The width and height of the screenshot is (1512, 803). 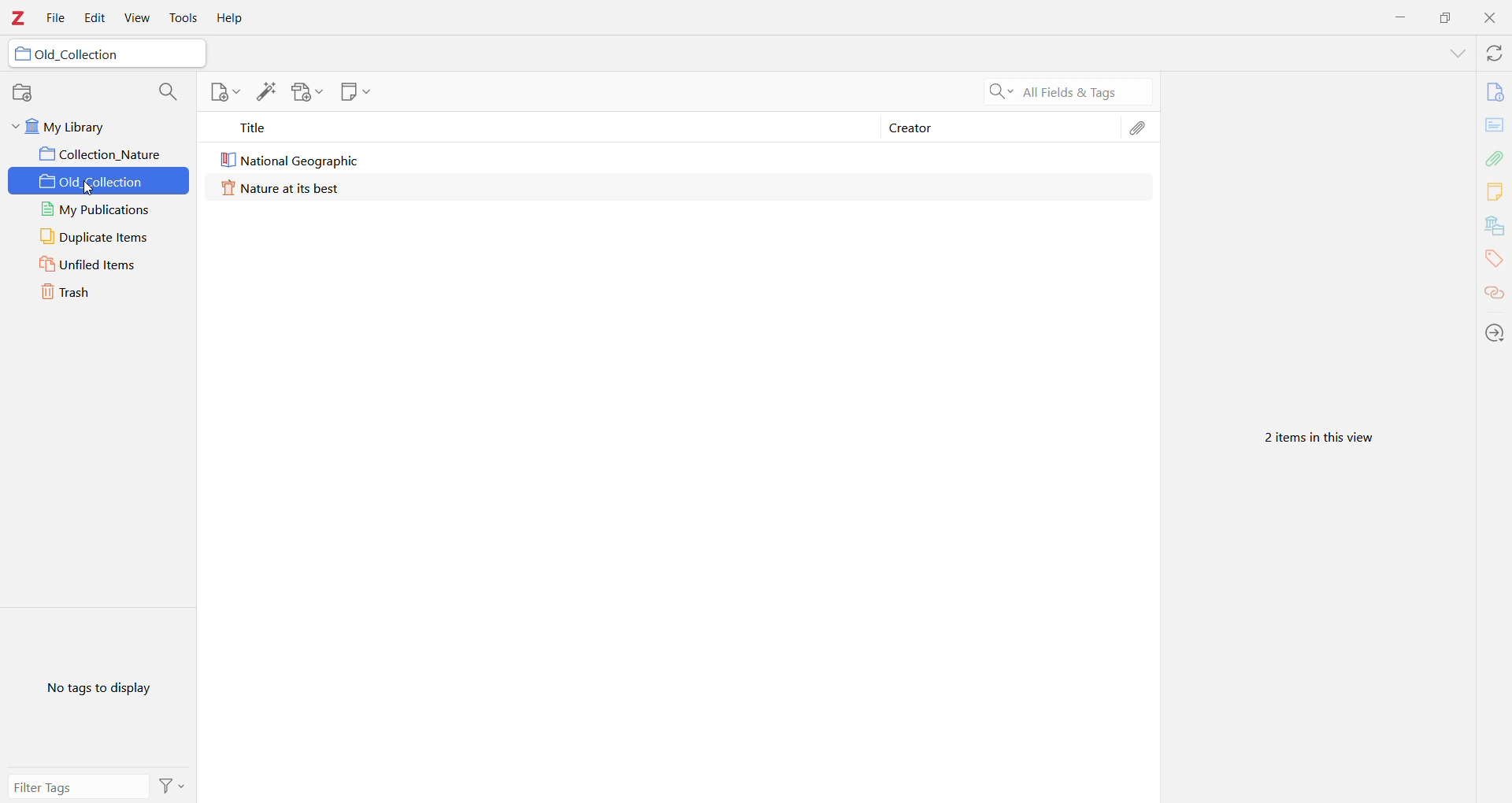 I want to click on Attachments, so click(x=1495, y=157).